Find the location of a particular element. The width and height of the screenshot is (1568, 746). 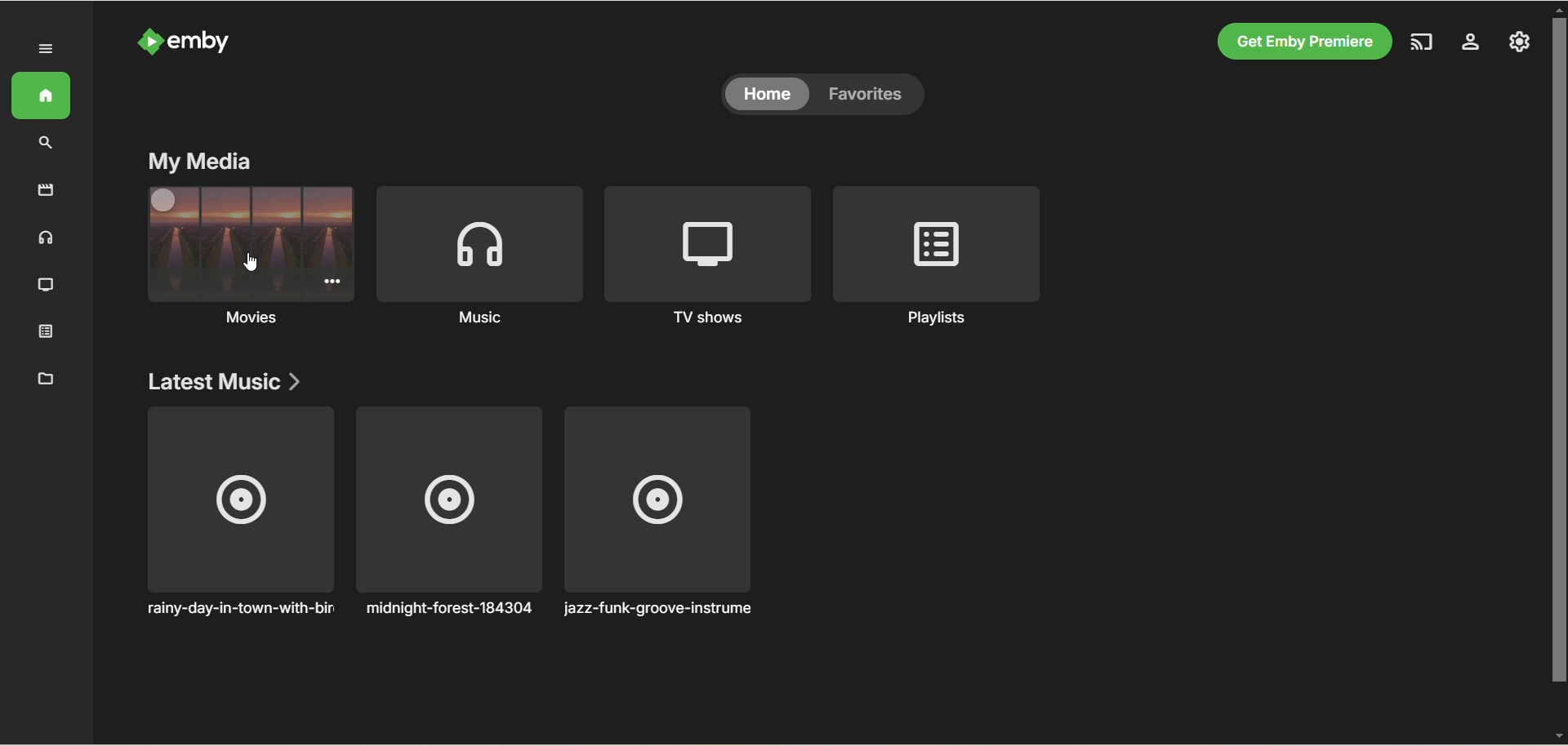

Music album is located at coordinates (448, 513).